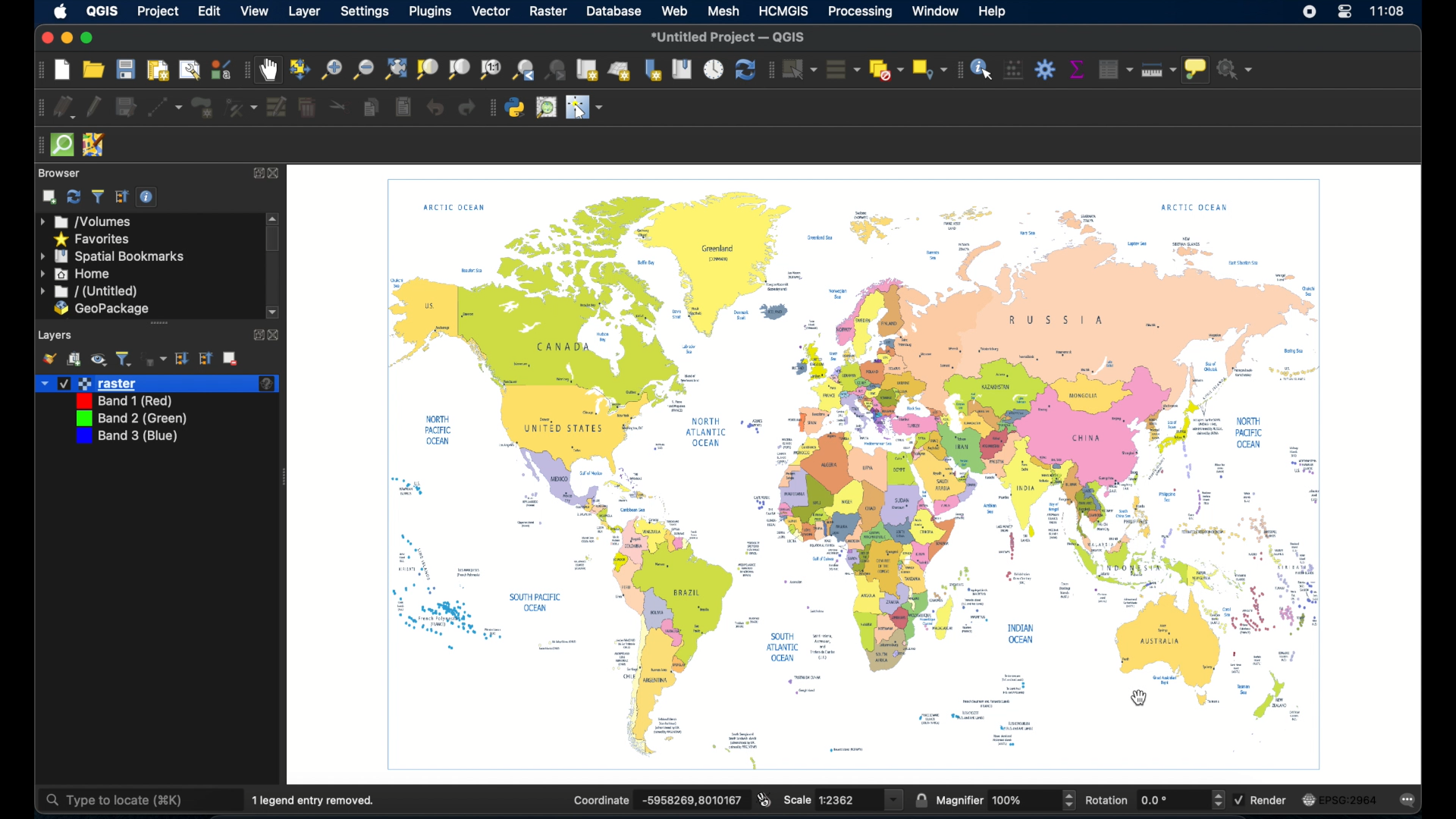 This screenshot has height=819, width=1456. Describe the element at coordinates (620, 72) in the screenshot. I see `new 3d map view` at that location.